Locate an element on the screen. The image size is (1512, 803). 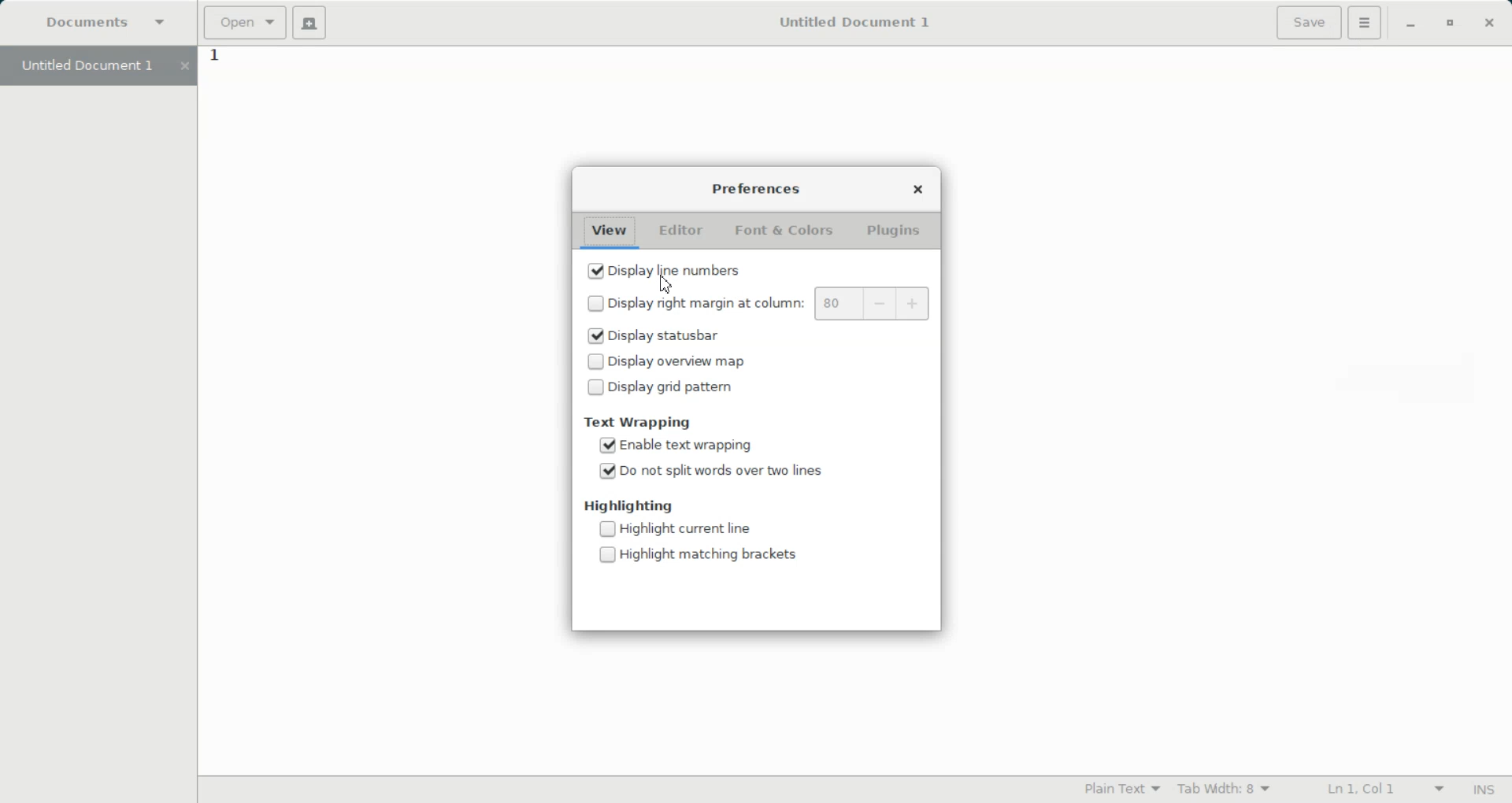
(un)check Disable Display right margin at column is located at coordinates (694, 301).